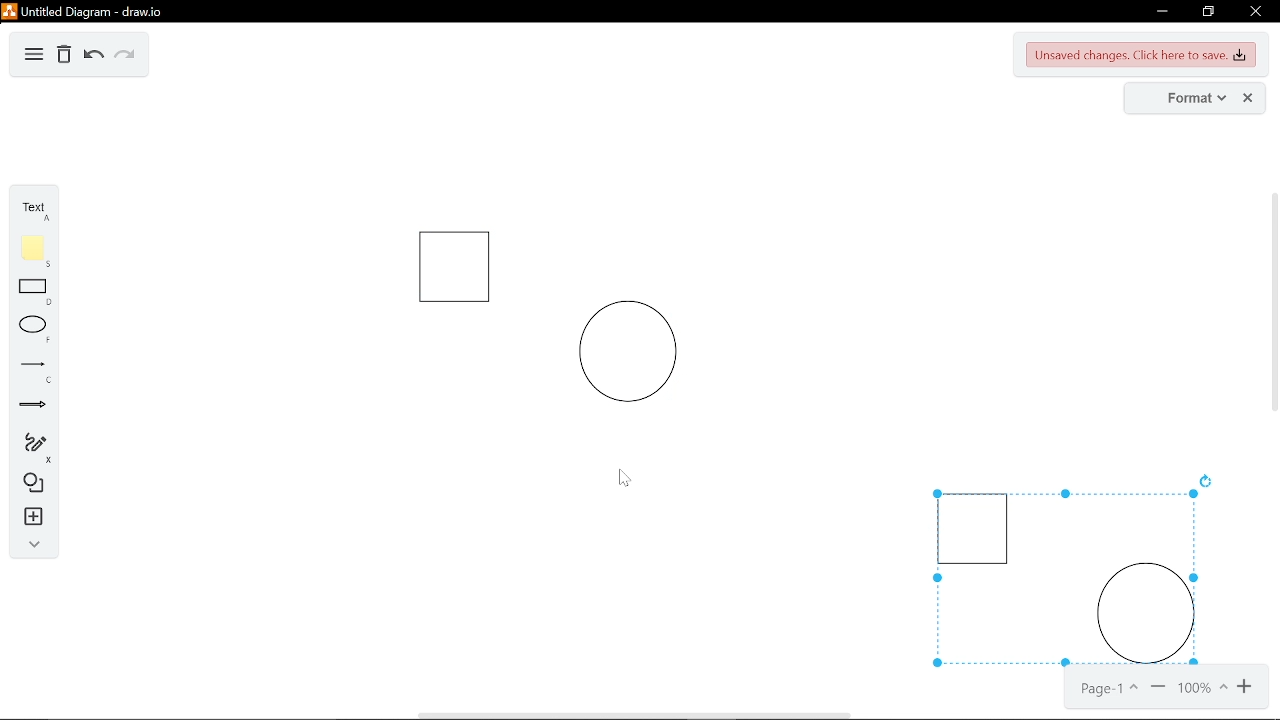 This screenshot has width=1280, height=720. Describe the element at coordinates (1142, 56) in the screenshot. I see `Unsaved changes. Click here to save` at that location.